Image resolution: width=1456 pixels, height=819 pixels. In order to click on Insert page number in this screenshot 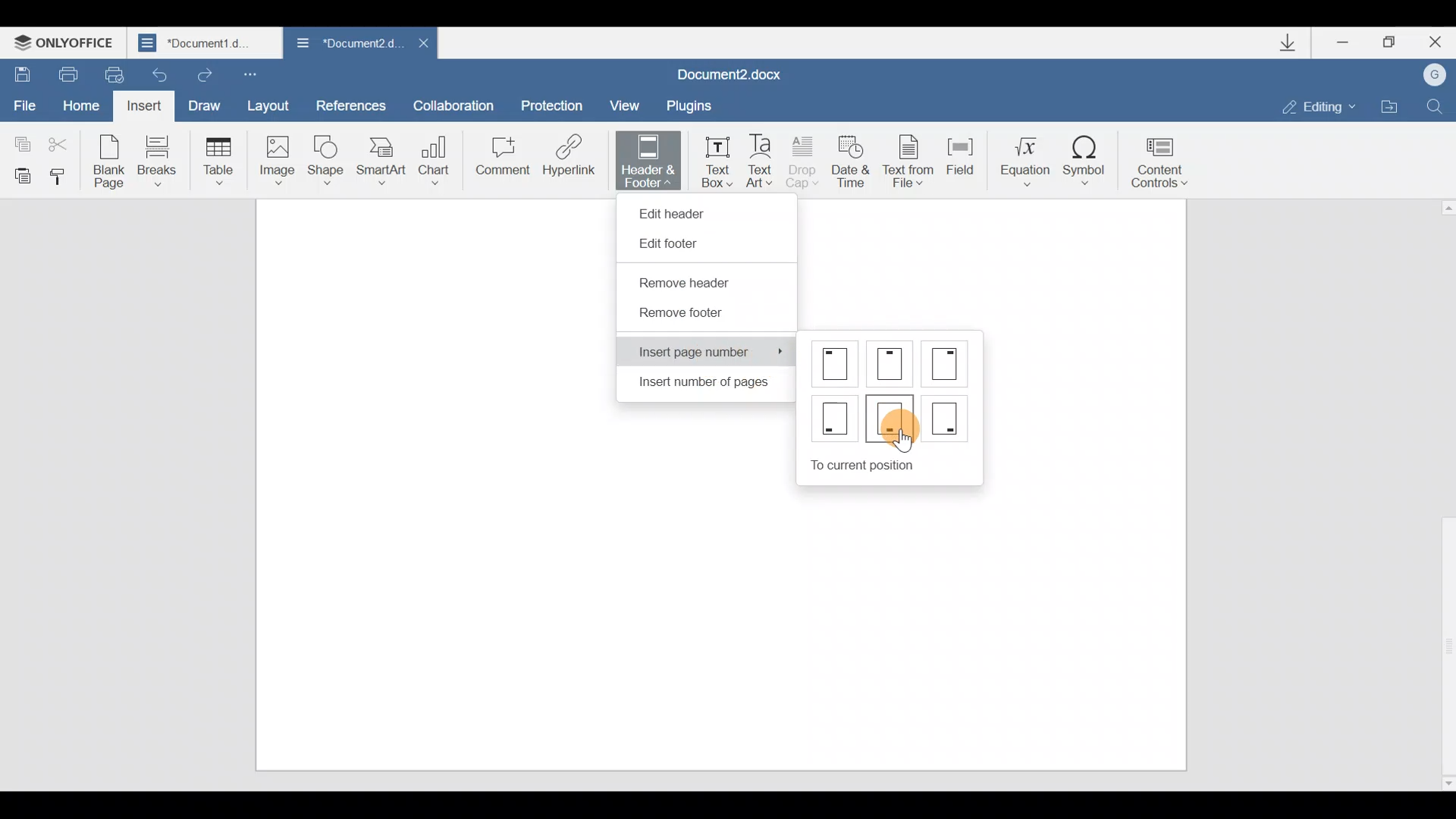, I will do `click(709, 352)`.